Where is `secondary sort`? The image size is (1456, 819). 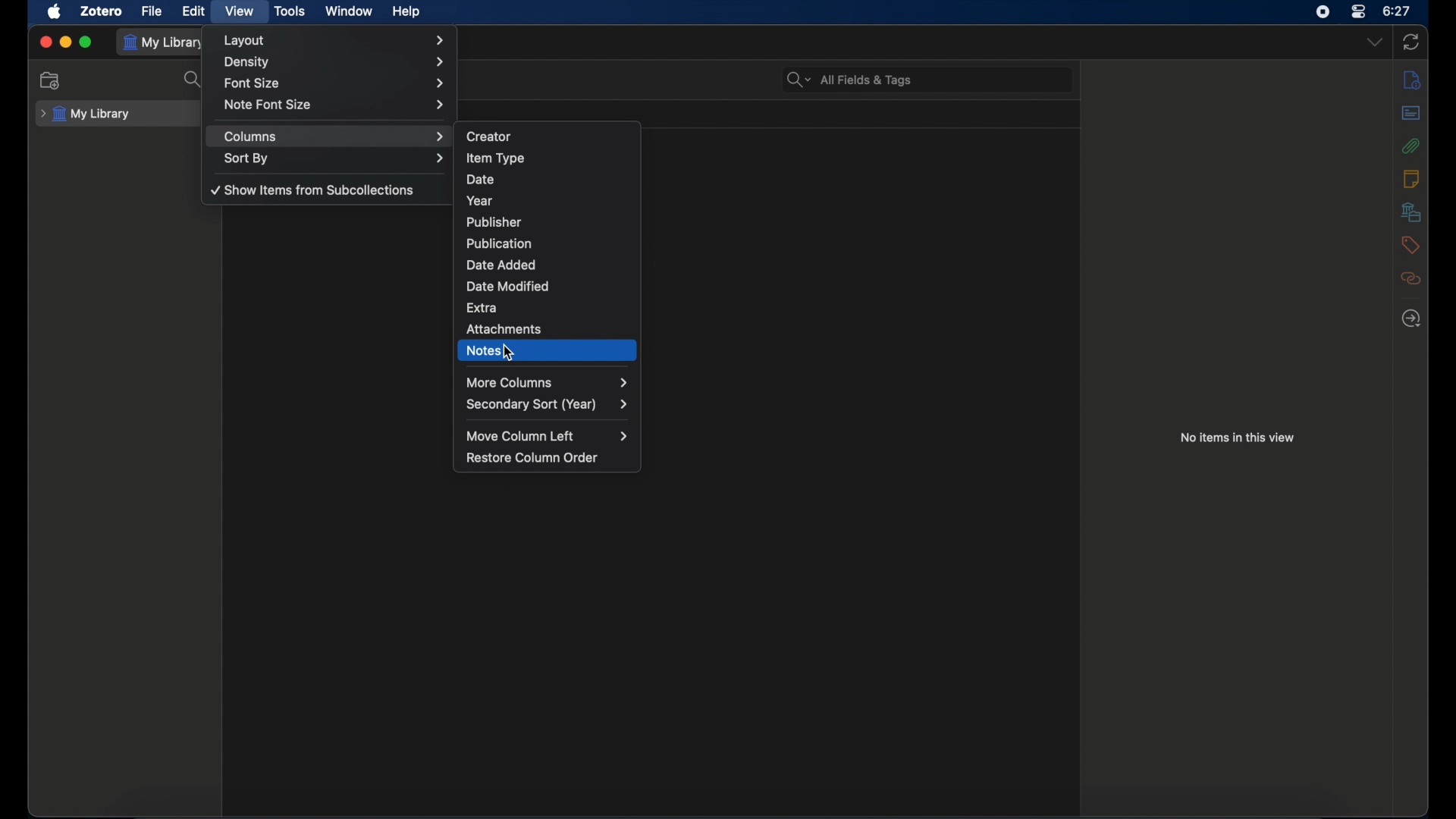
secondary sort is located at coordinates (546, 404).